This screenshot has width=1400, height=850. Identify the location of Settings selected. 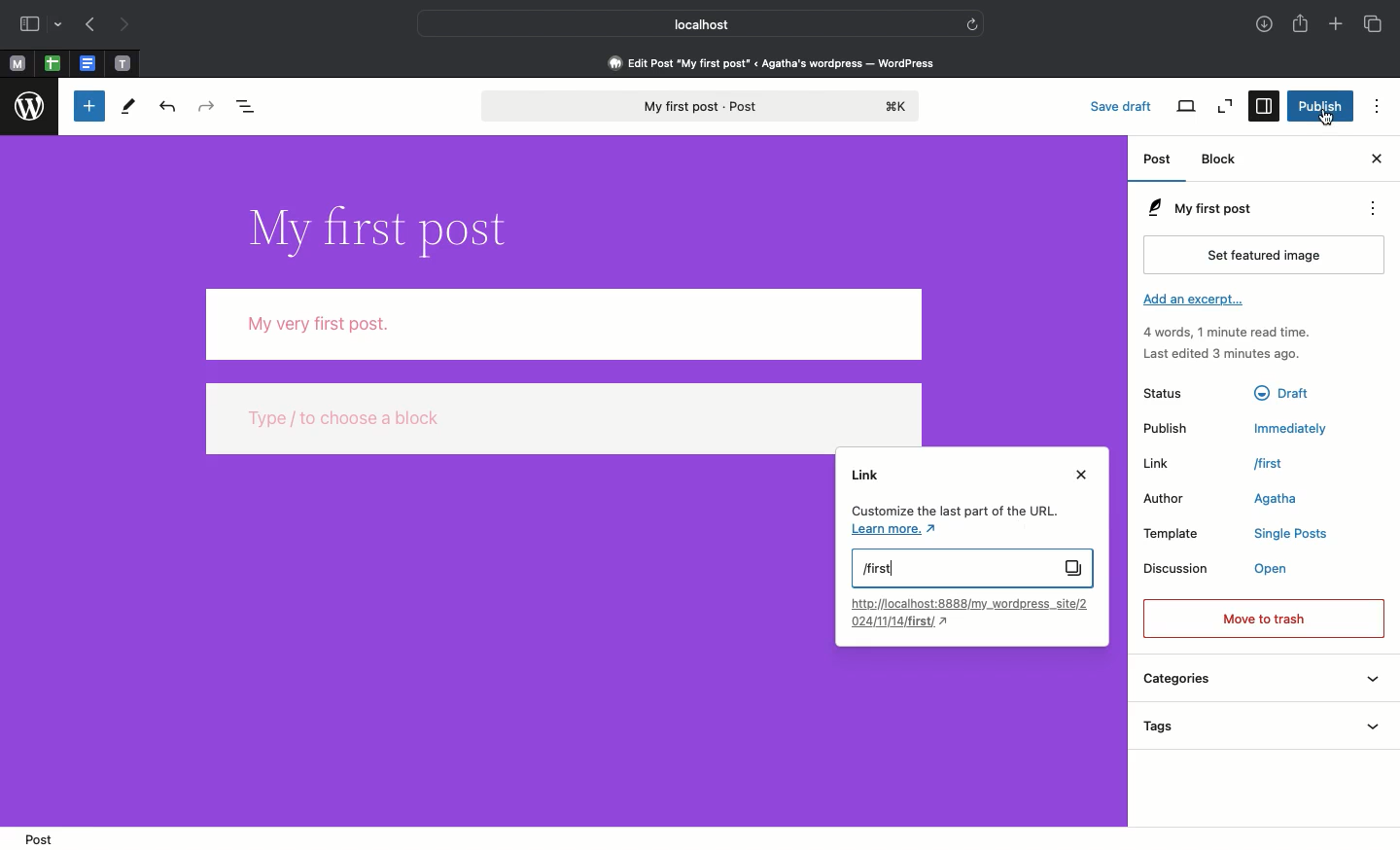
(1262, 106).